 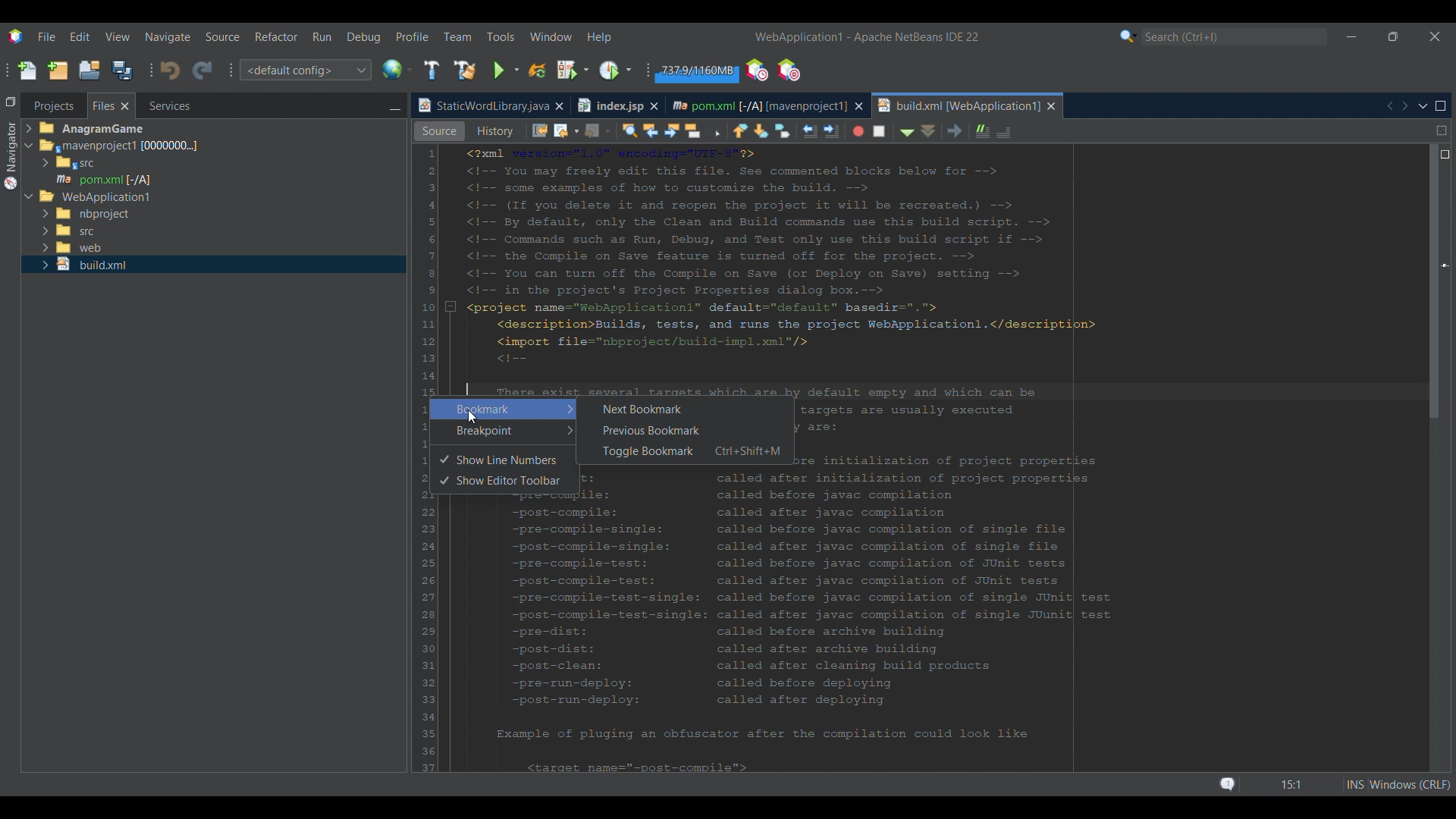 I want to click on File menu, so click(x=46, y=36).